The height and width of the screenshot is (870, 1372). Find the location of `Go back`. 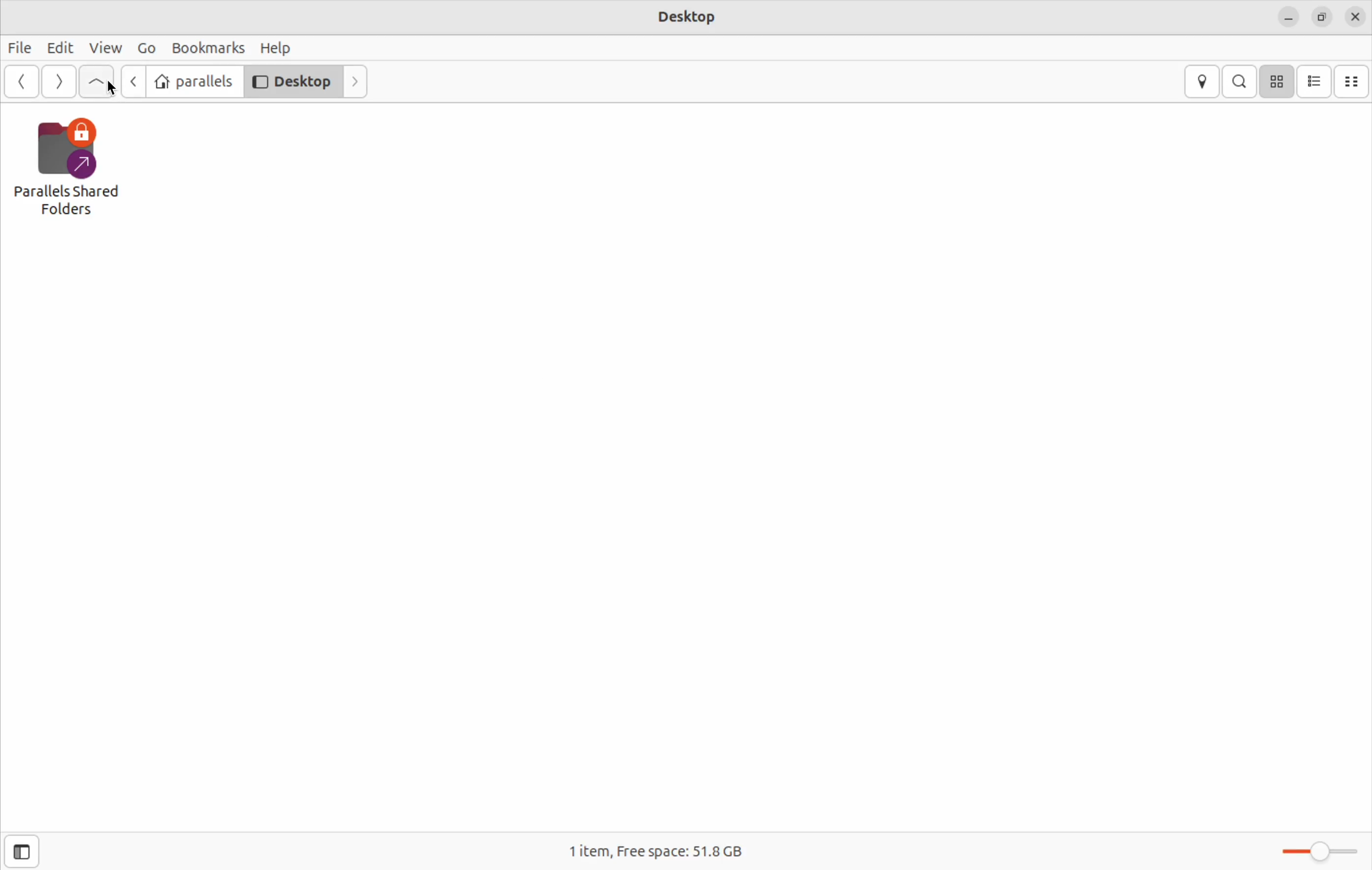

Go back is located at coordinates (129, 81).